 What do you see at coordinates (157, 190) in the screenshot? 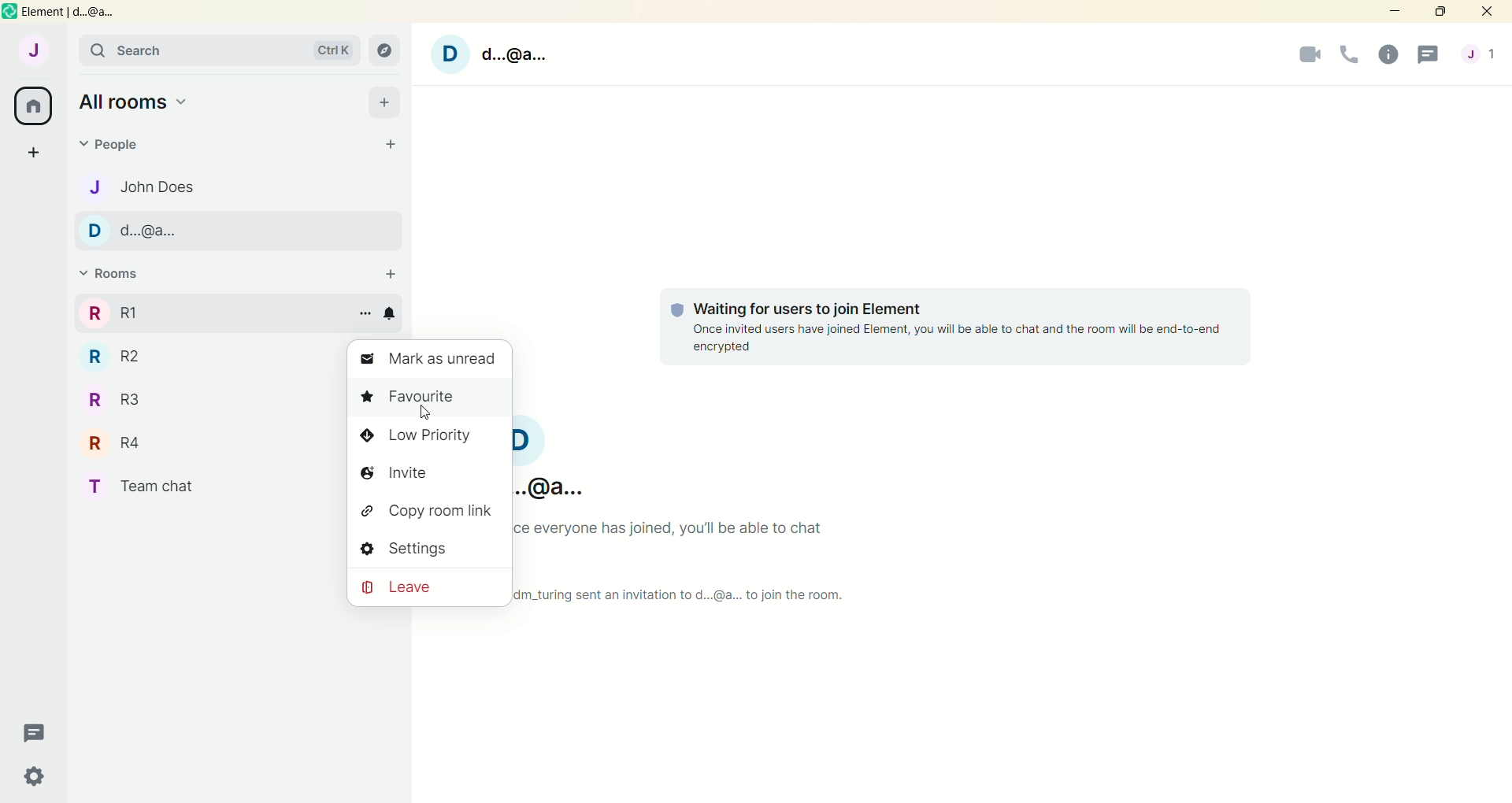
I see `John Does` at bounding box center [157, 190].